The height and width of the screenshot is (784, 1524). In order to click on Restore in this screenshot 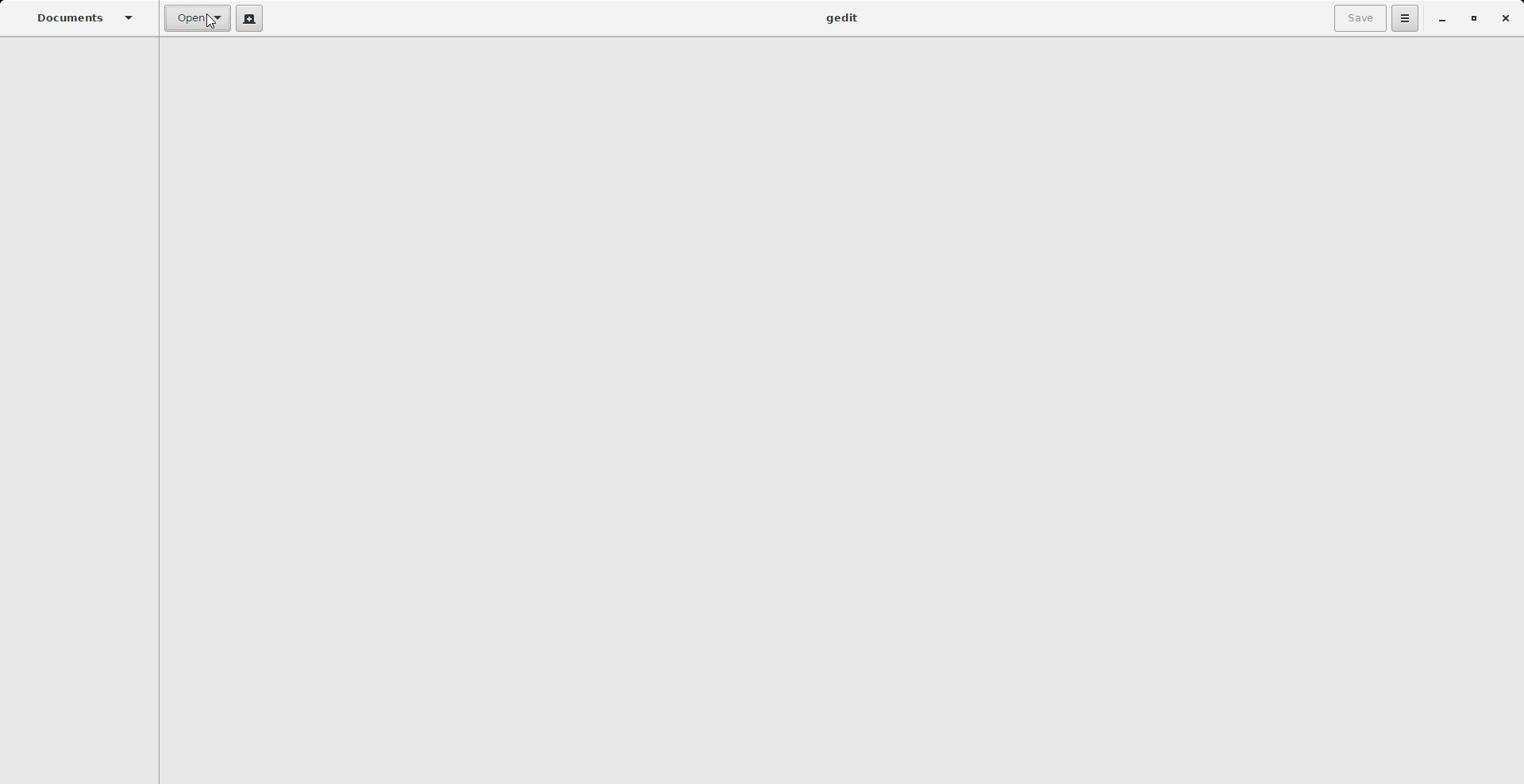, I will do `click(1476, 17)`.